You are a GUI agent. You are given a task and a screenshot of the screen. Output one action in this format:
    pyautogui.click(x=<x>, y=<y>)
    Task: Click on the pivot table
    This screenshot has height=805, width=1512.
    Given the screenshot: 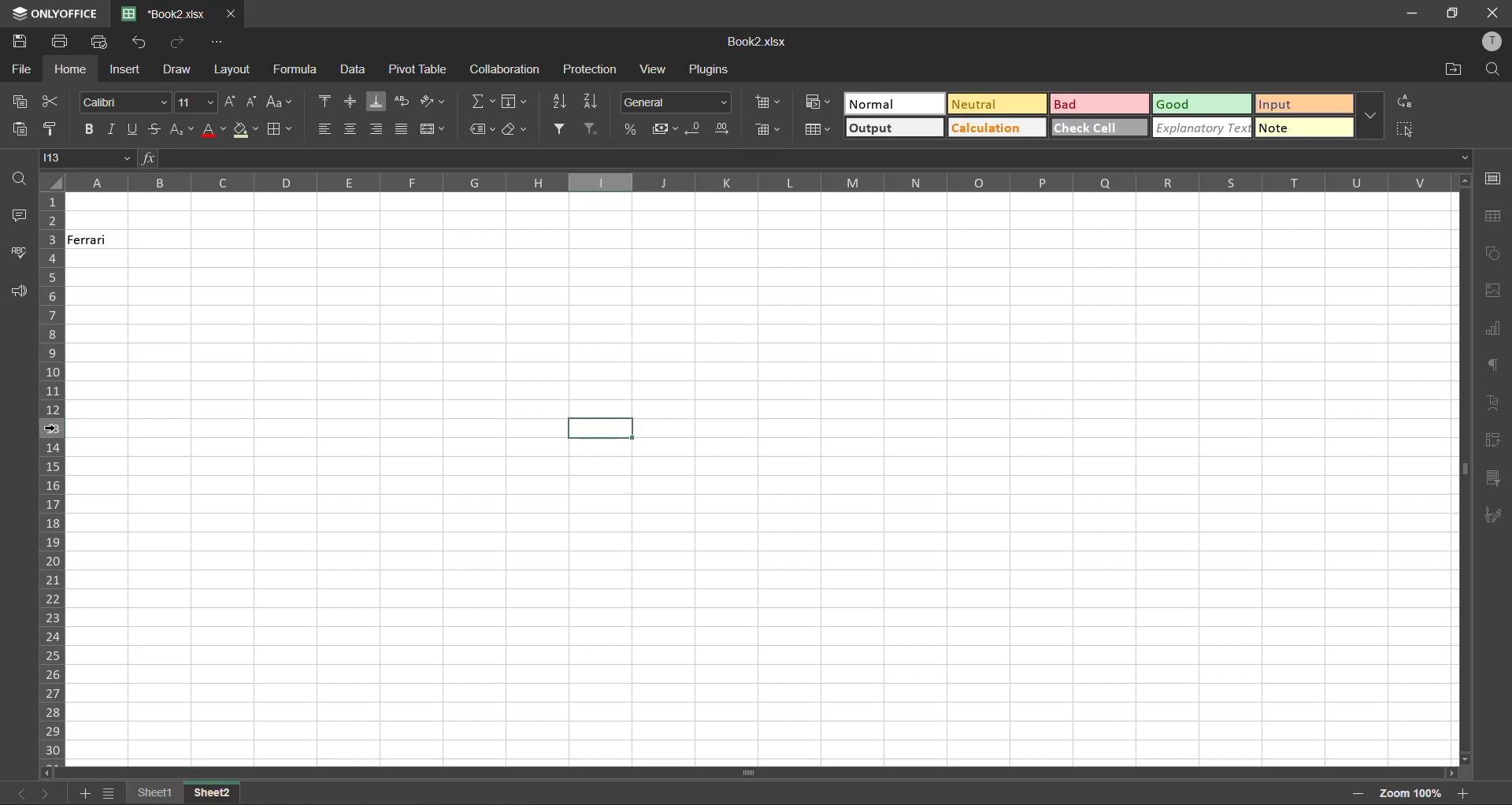 What is the action you would take?
    pyautogui.click(x=417, y=69)
    